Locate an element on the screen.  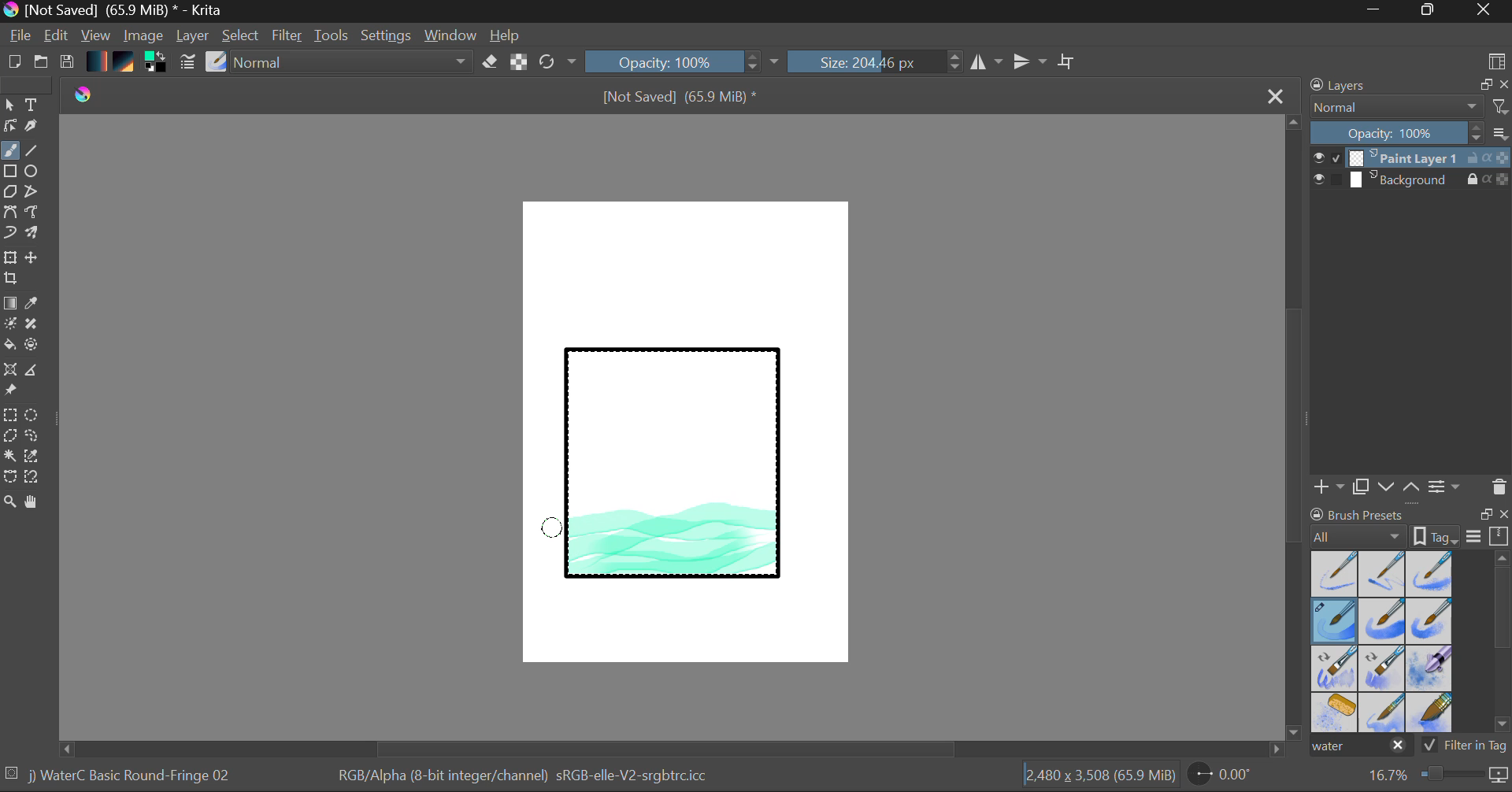
Select is located at coordinates (242, 36).